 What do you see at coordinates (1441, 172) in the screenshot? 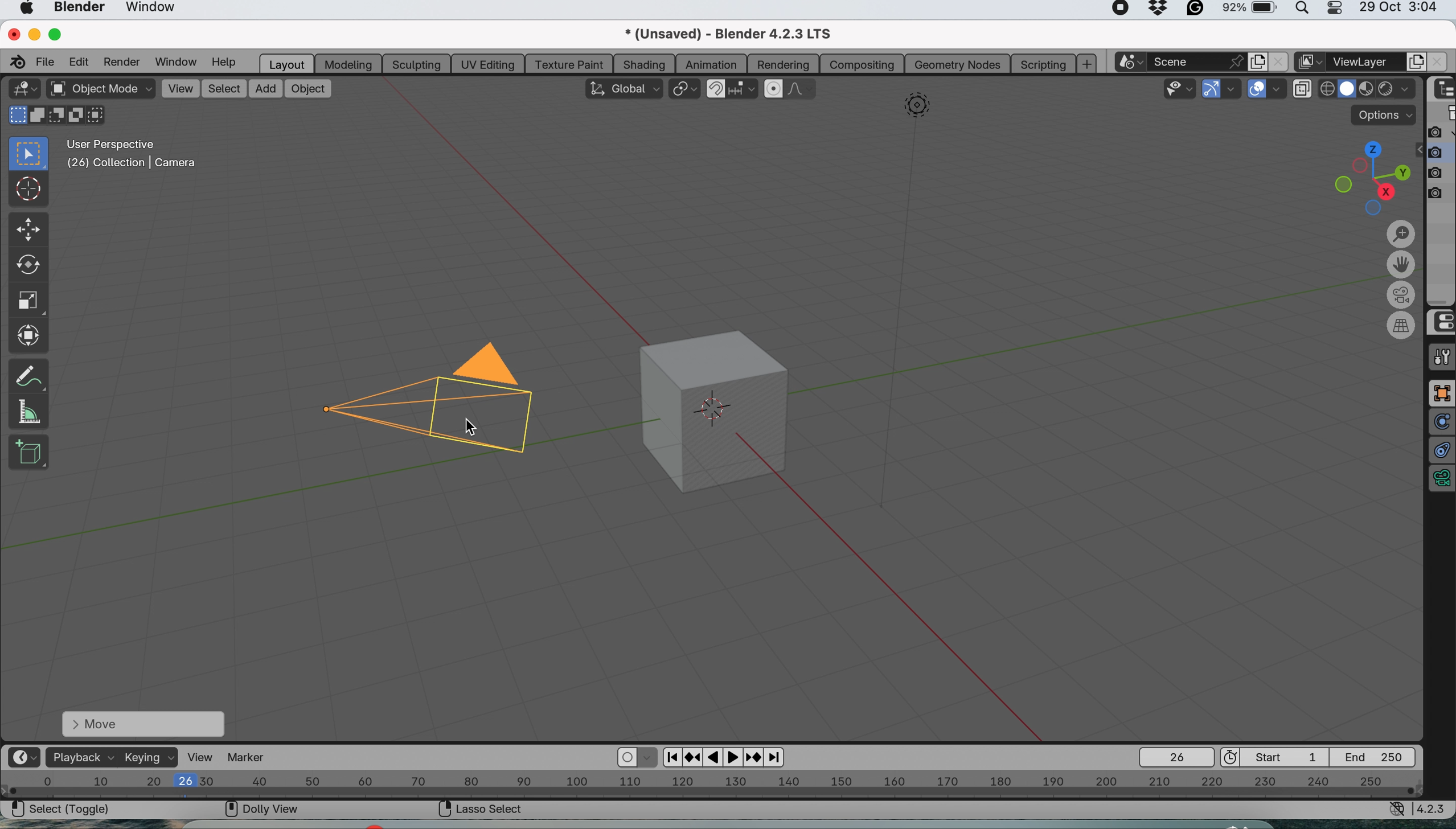
I see `disable in renders` at bounding box center [1441, 172].